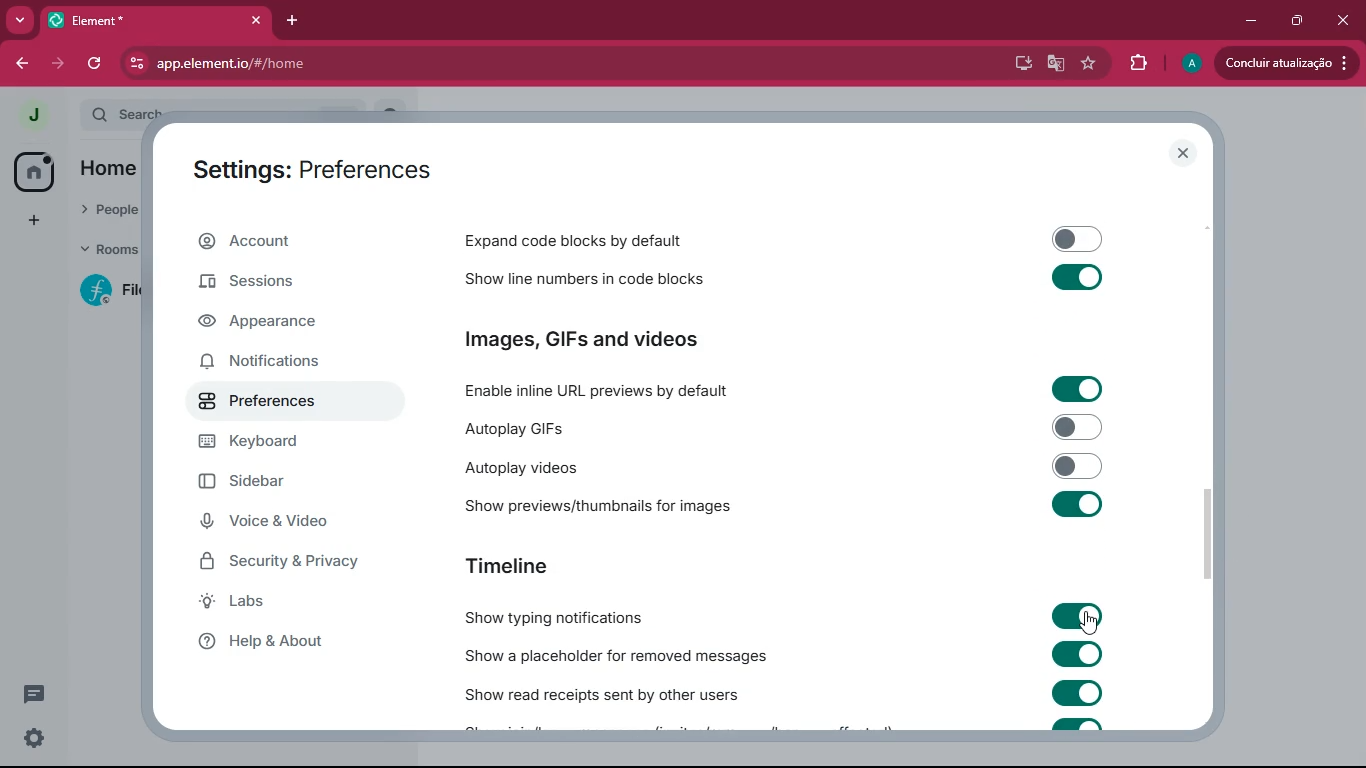  I want to click on add tab, so click(291, 21).